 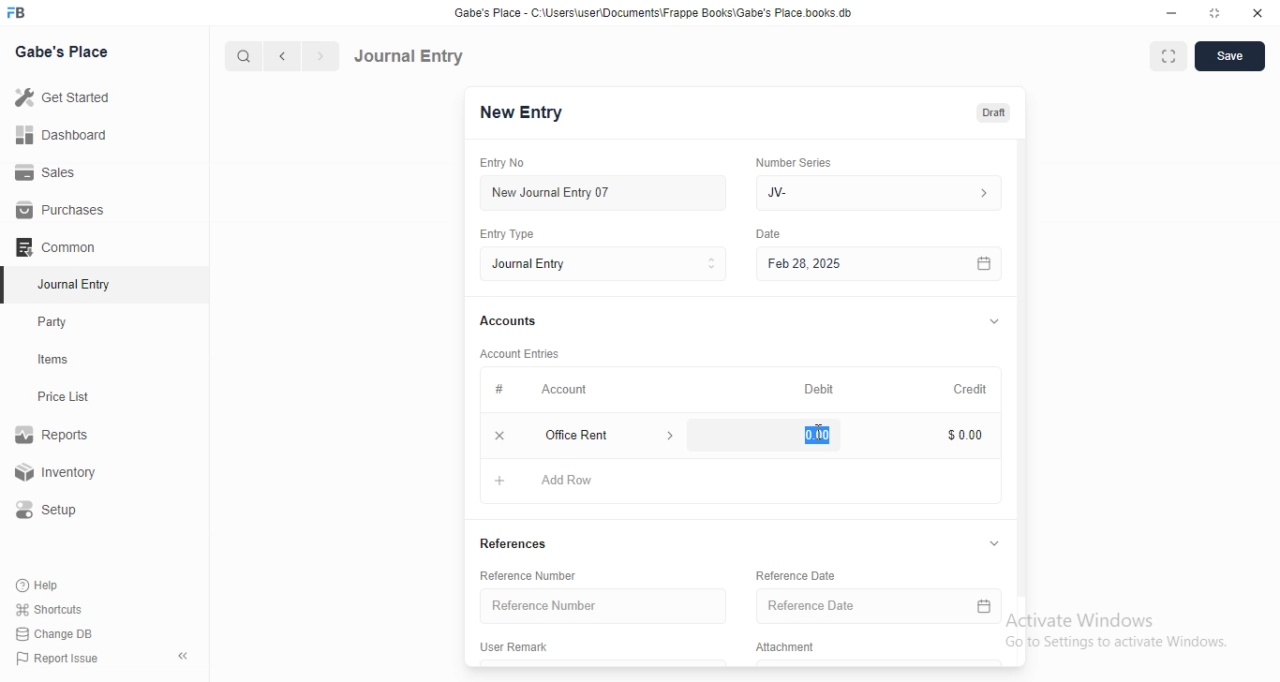 What do you see at coordinates (1258, 12) in the screenshot?
I see `close` at bounding box center [1258, 12].